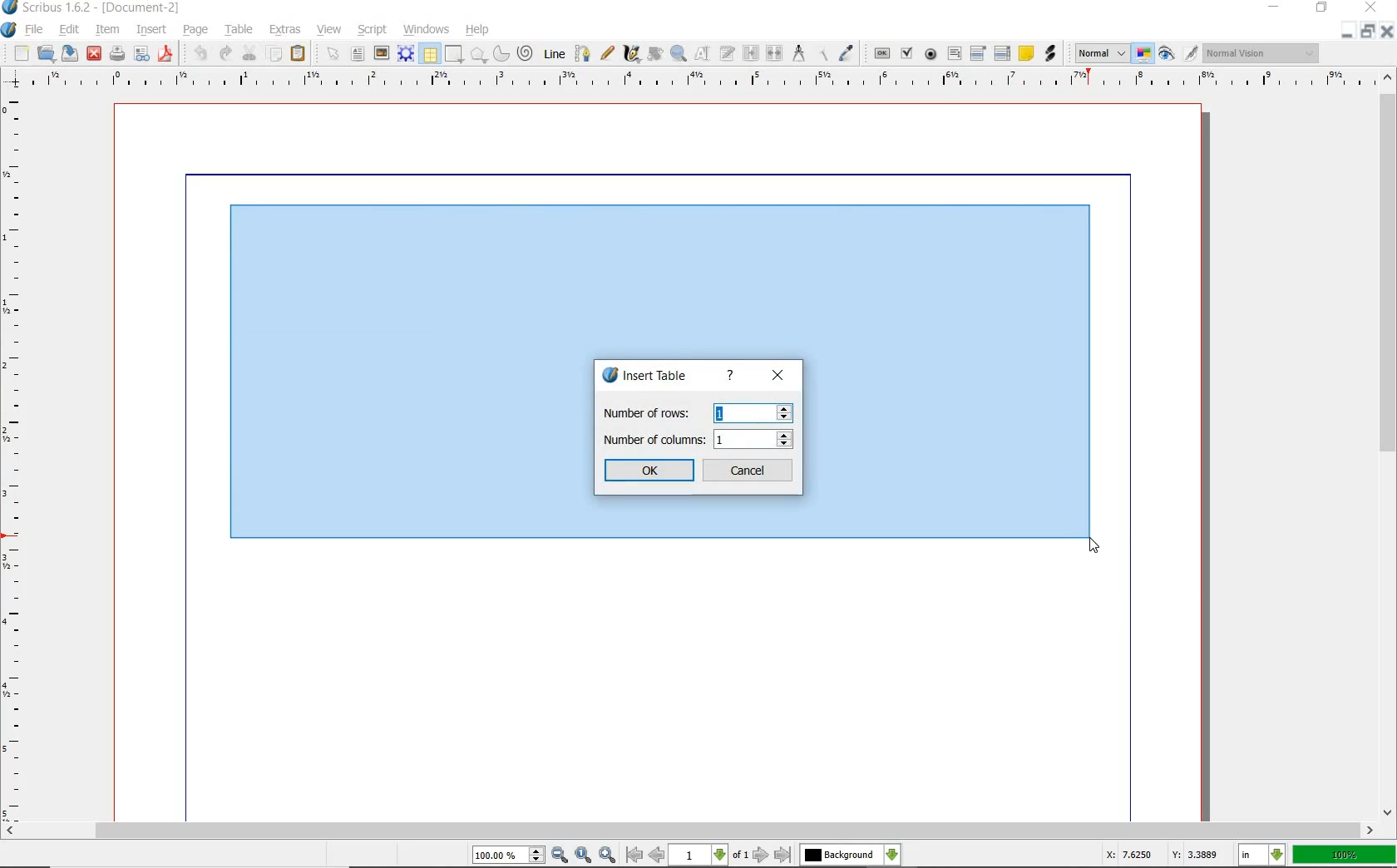 Image resolution: width=1397 pixels, height=868 pixels. I want to click on zoom to, so click(585, 856).